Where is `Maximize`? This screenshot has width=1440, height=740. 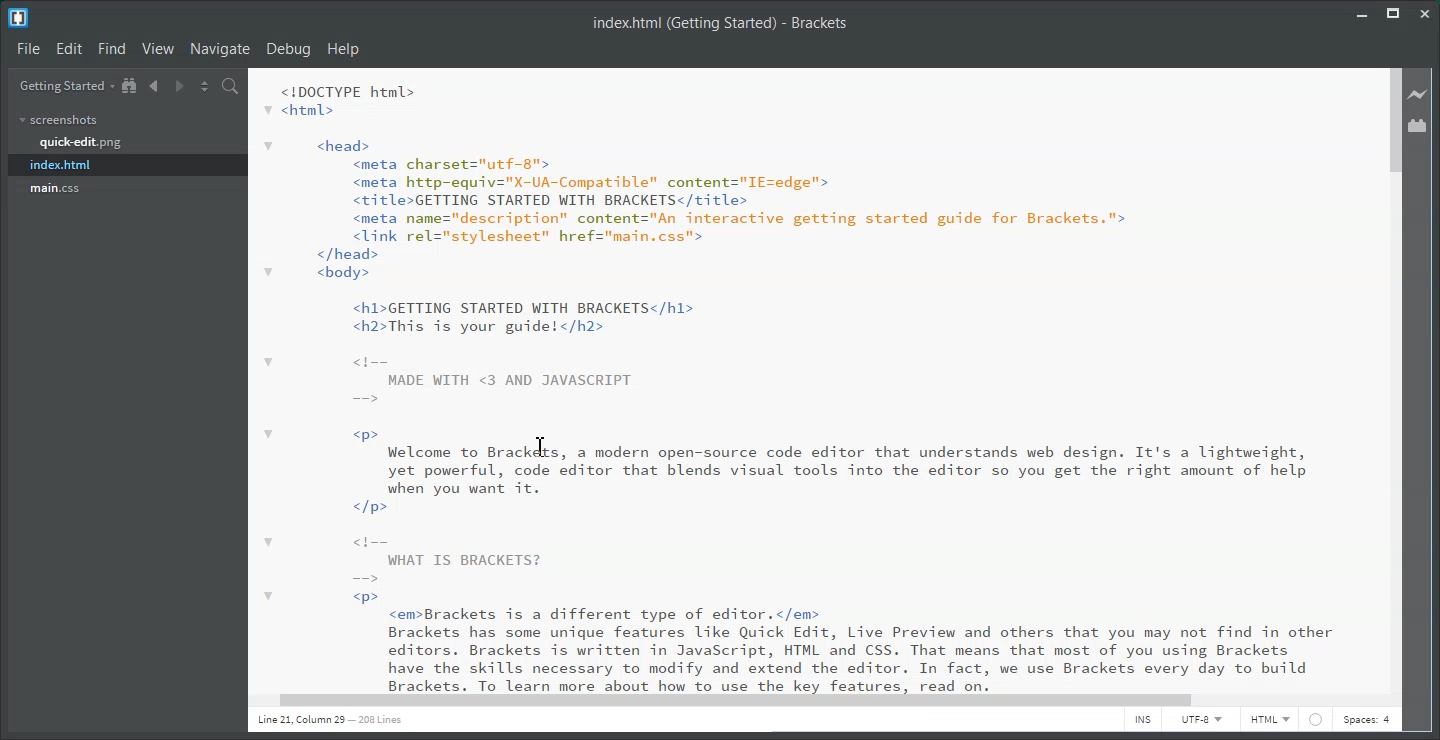
Maximize is located at coordinates (1396, 14).